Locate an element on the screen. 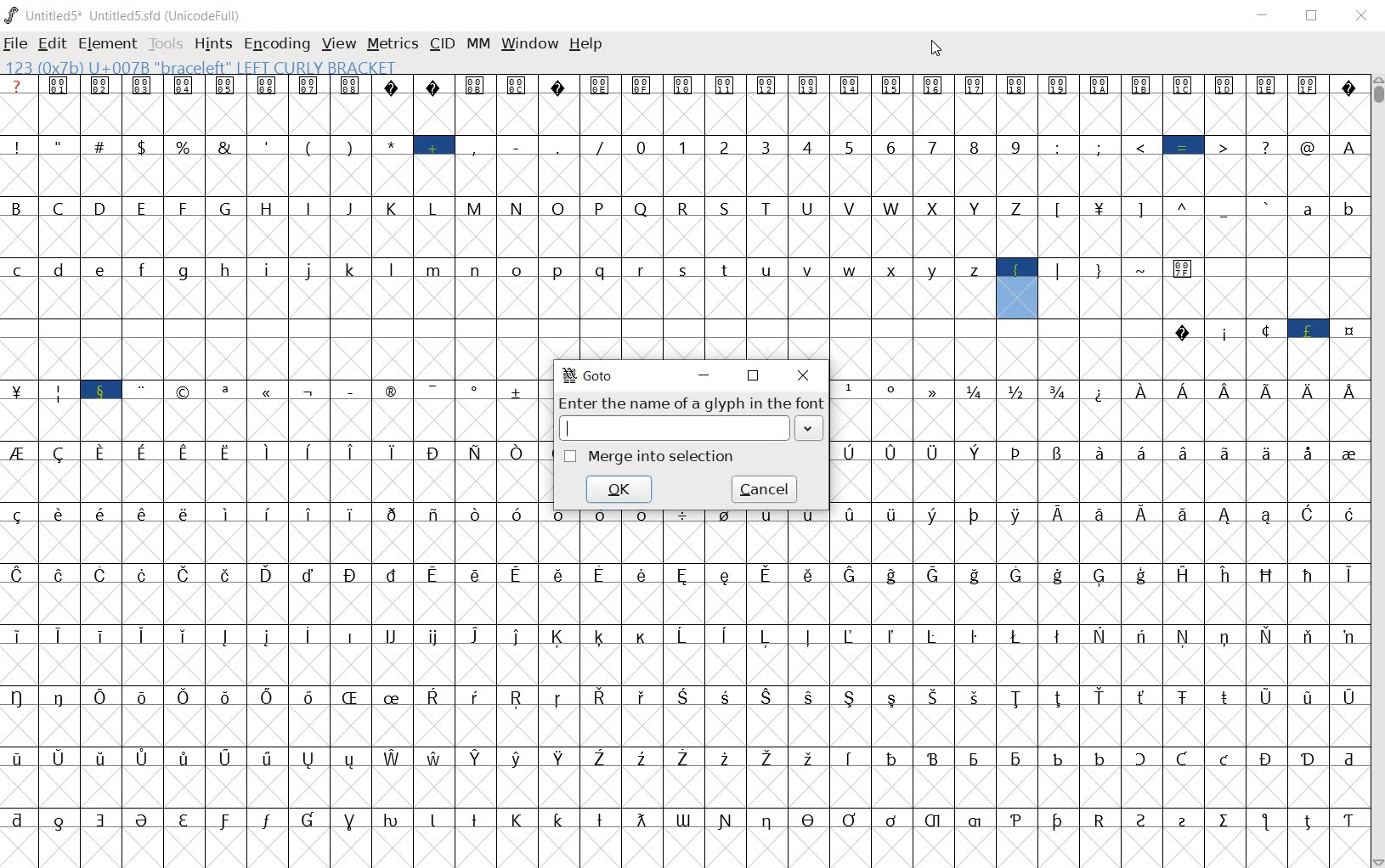  Enter the name of a glyph in the font is located at coordinates (693, 419).